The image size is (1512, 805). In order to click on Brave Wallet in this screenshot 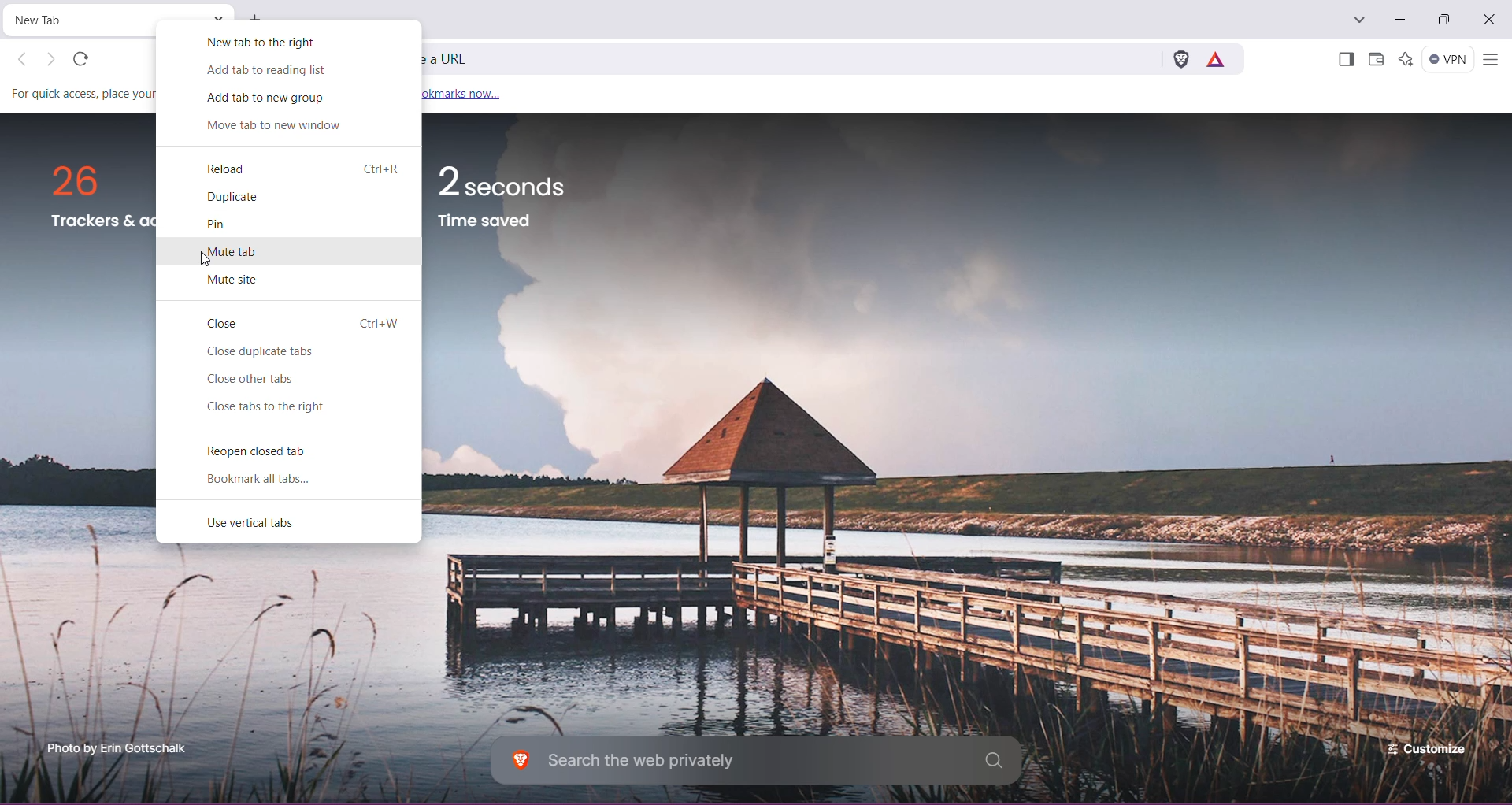, I will do `click(1376, 59)`.